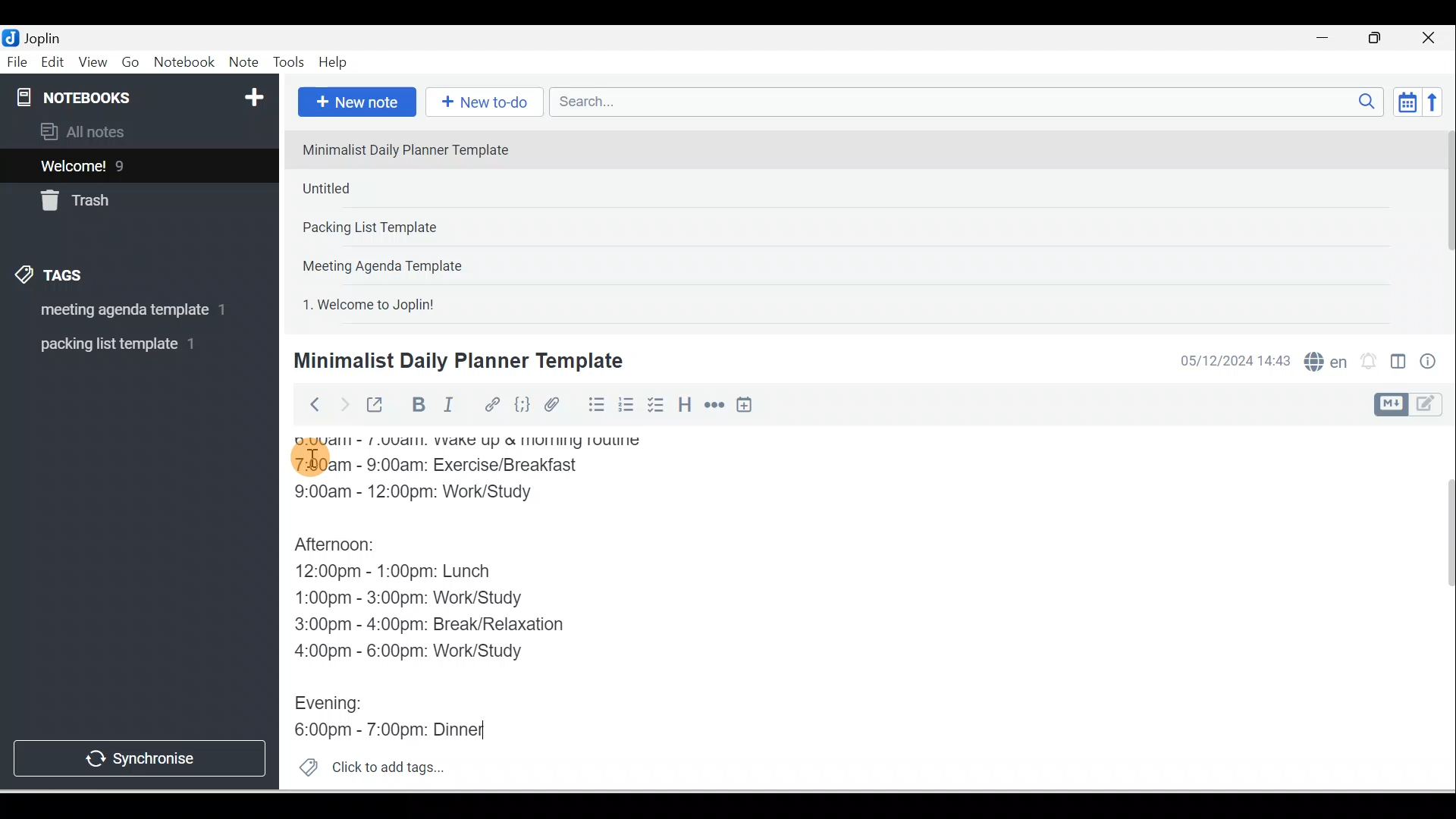 Image resolution: width=1456 pixels, height=819 pixels. What do you see at coordinates (415, 652) in the screenshot?
I see `4:00pm - 6:00pm: Work/Study` at bounding box center [415, 652].